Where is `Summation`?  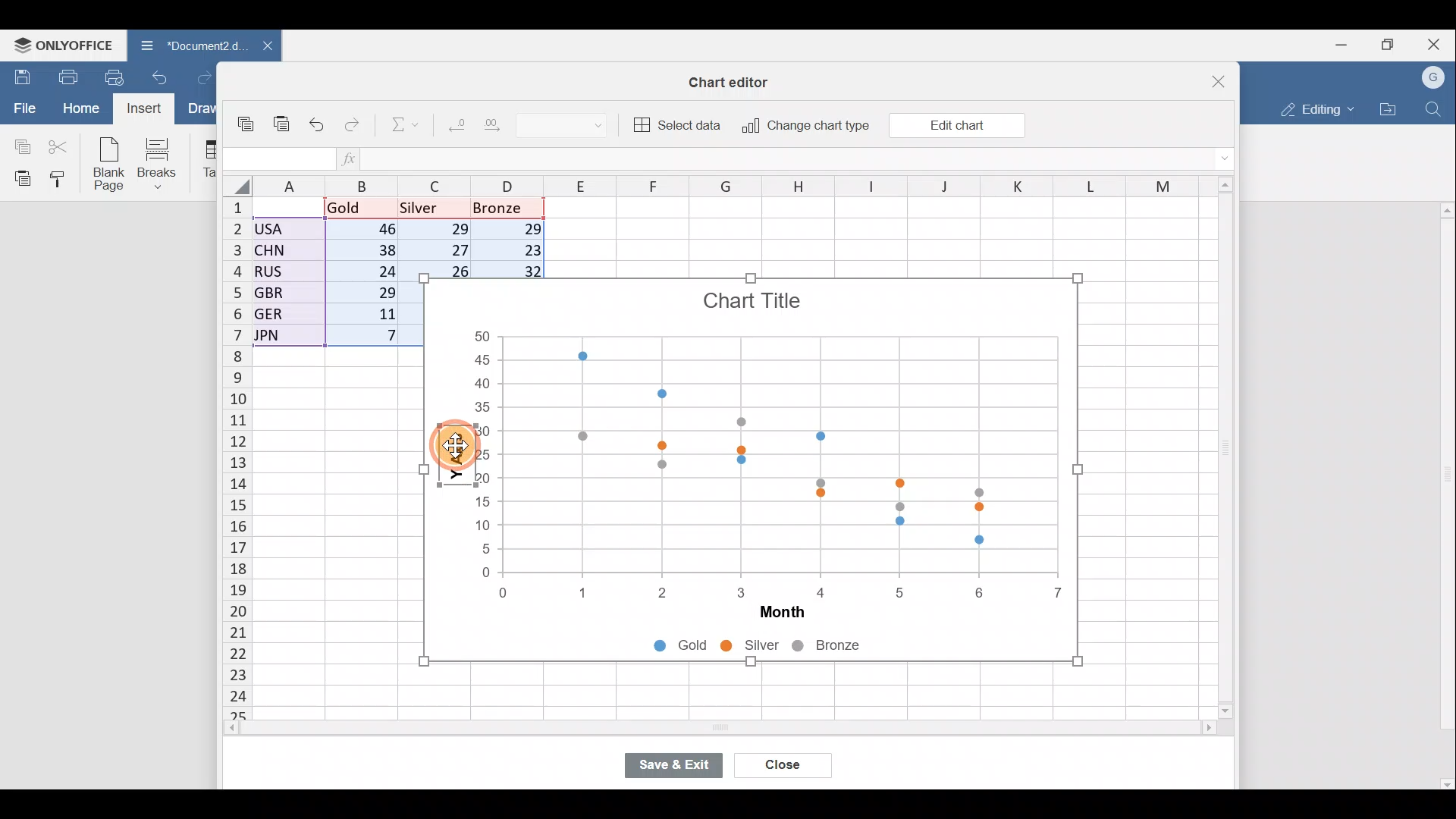
Summation is located at coordinates (400, 127).